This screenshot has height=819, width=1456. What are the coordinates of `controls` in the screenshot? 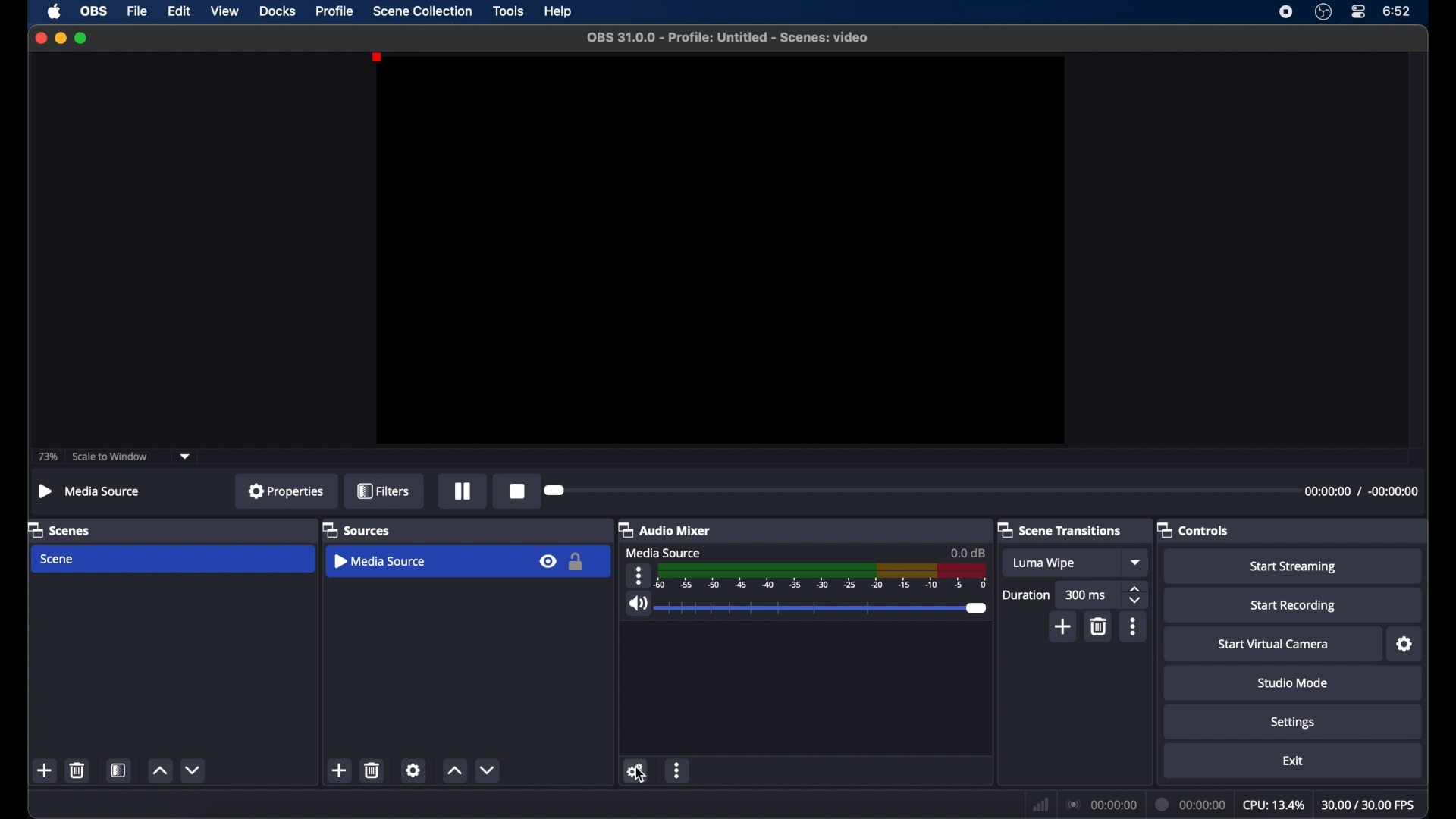 It's located at (1194, 530).